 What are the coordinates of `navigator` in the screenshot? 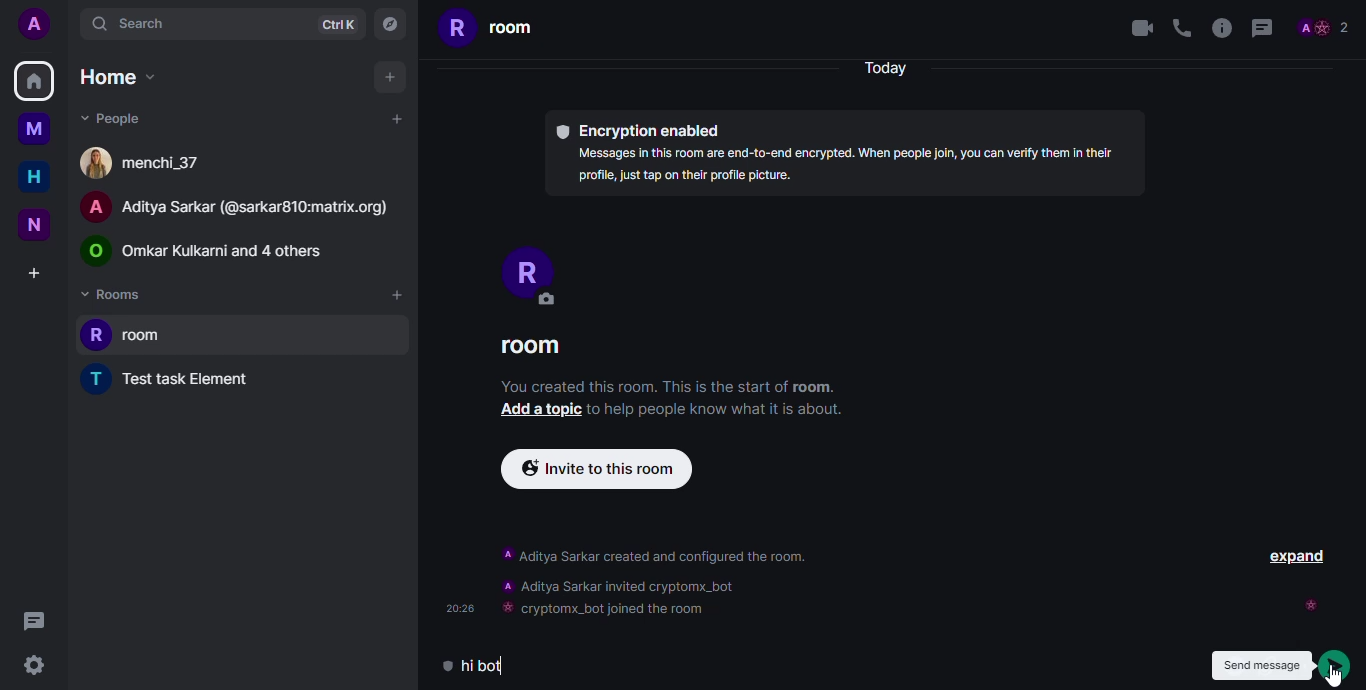 It's located at (389, 24).